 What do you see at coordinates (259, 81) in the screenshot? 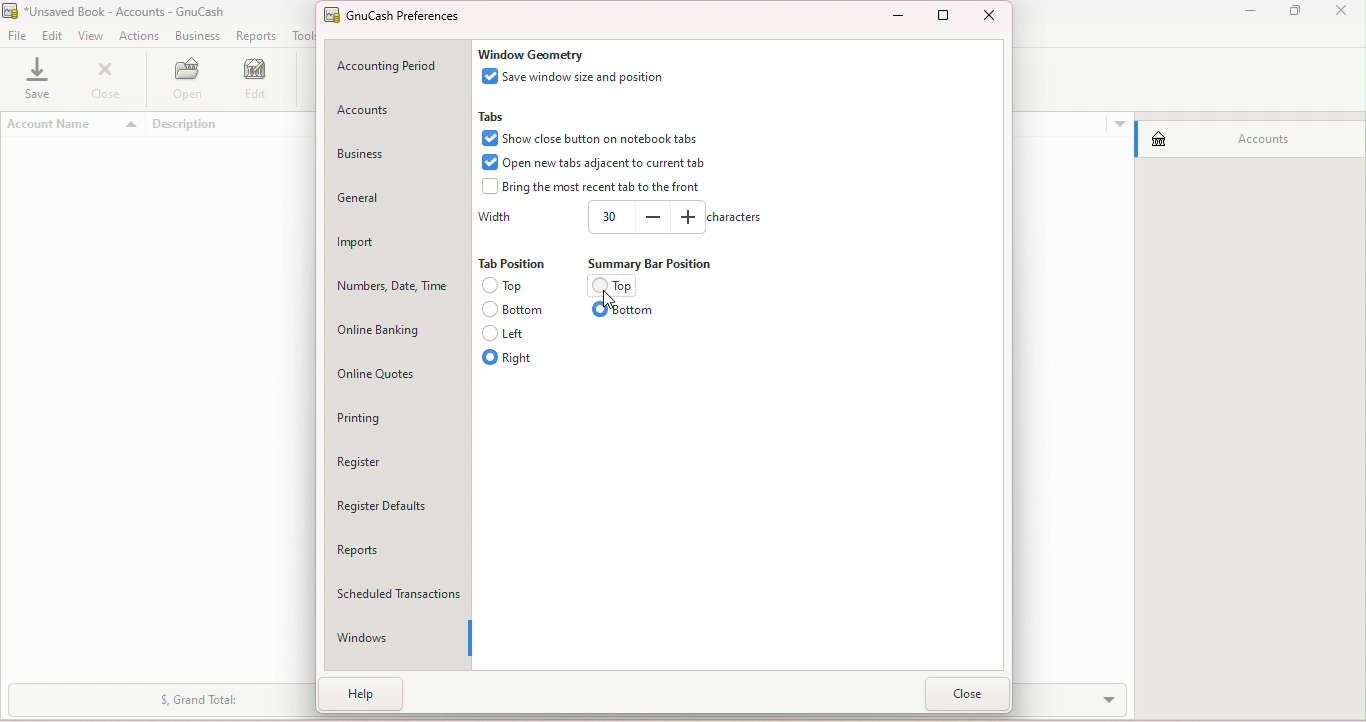
I see `Edit` at bounding box center [259, 81].